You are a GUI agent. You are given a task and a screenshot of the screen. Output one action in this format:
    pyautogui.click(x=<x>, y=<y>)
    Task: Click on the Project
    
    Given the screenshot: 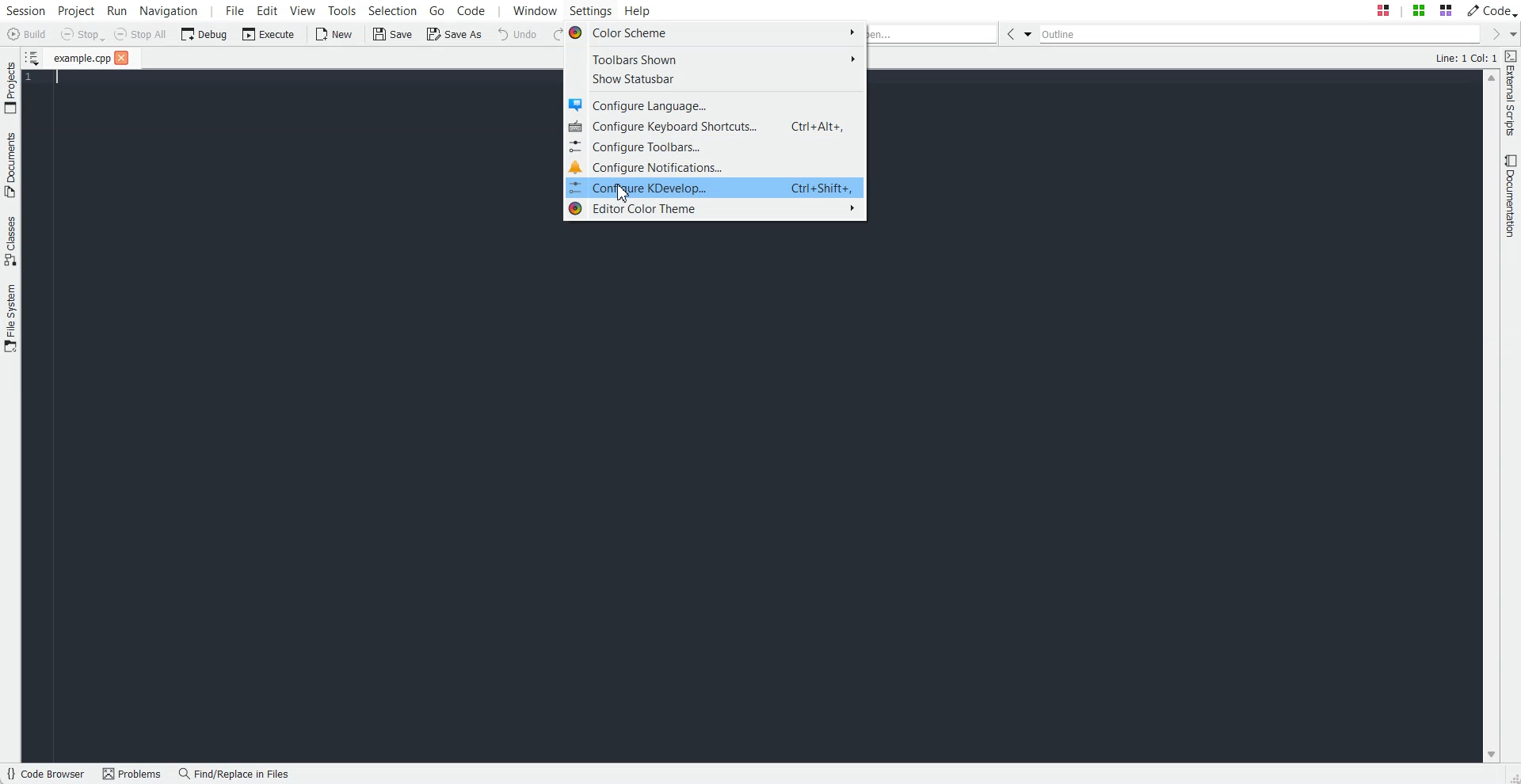 What is the action you would take?
    pyautogui.click(x=75, y=10)
    